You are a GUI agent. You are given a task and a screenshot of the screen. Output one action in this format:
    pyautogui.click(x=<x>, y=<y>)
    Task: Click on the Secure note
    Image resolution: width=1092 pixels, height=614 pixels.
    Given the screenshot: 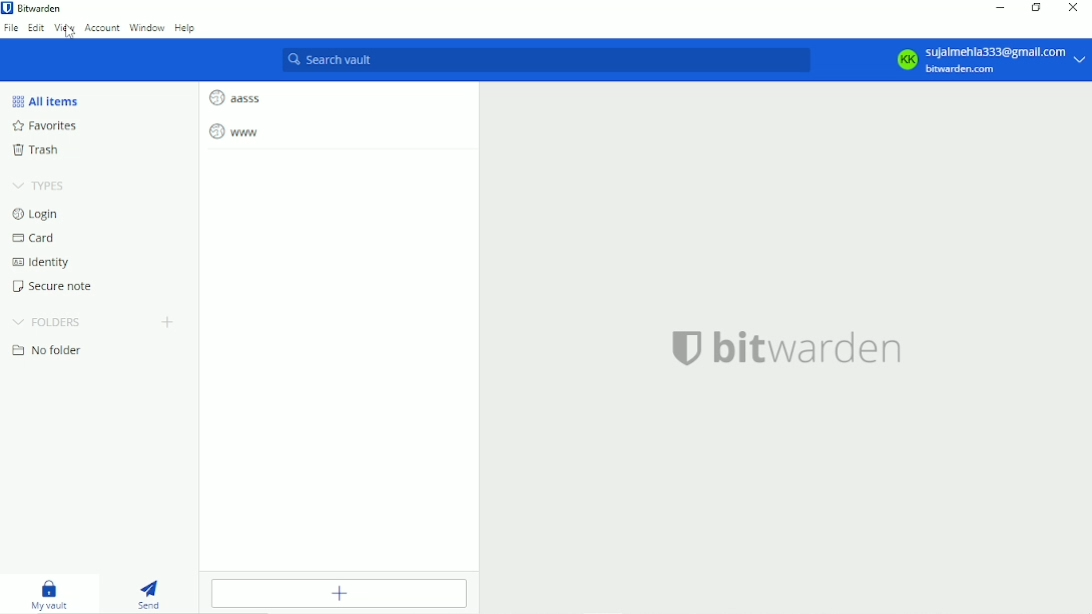 What is the action you would take?
    pyautogui.click(x=56, y=286)
    